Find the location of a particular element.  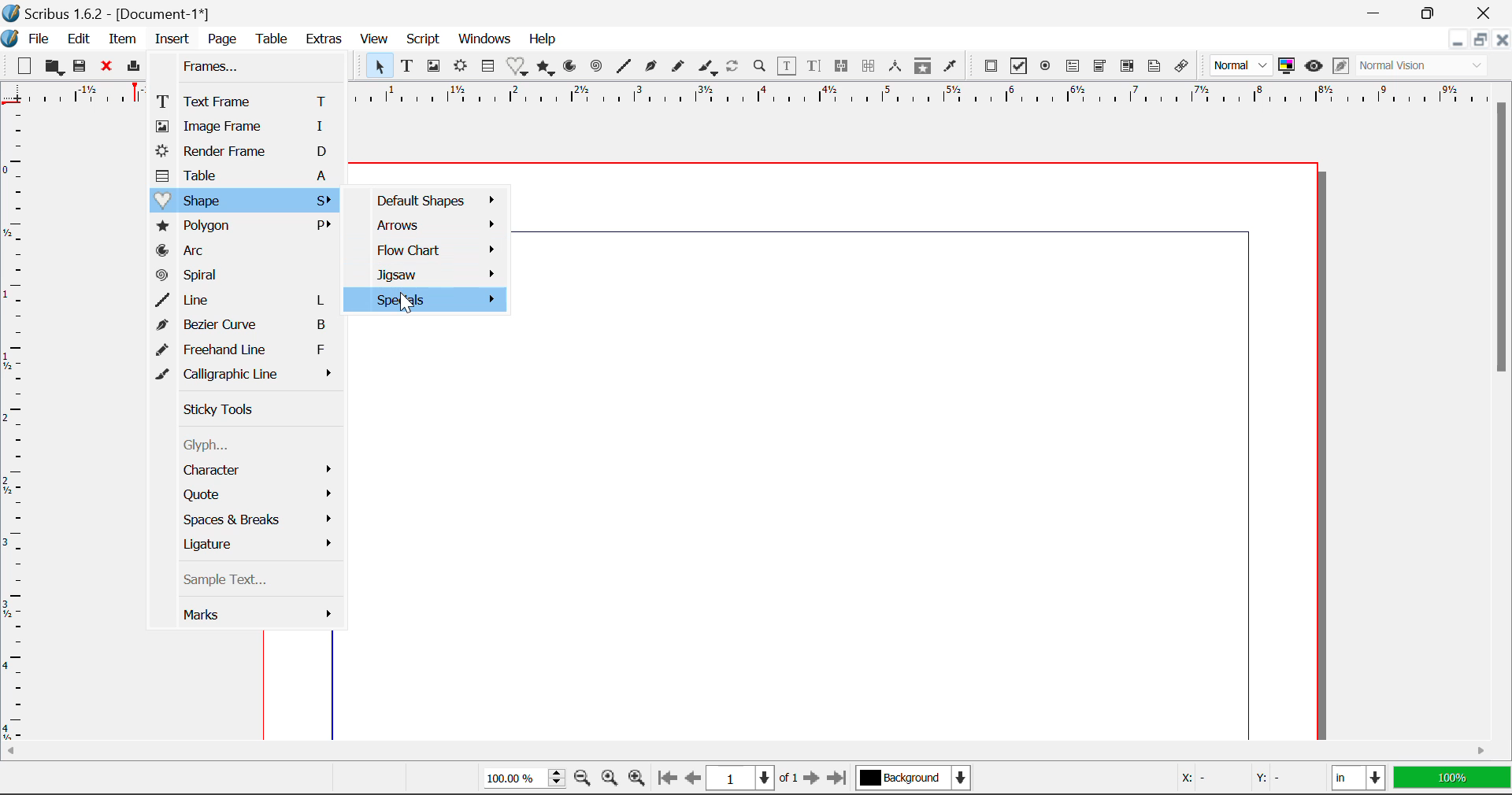

1 of 1 is located at coordinates (753, 778).